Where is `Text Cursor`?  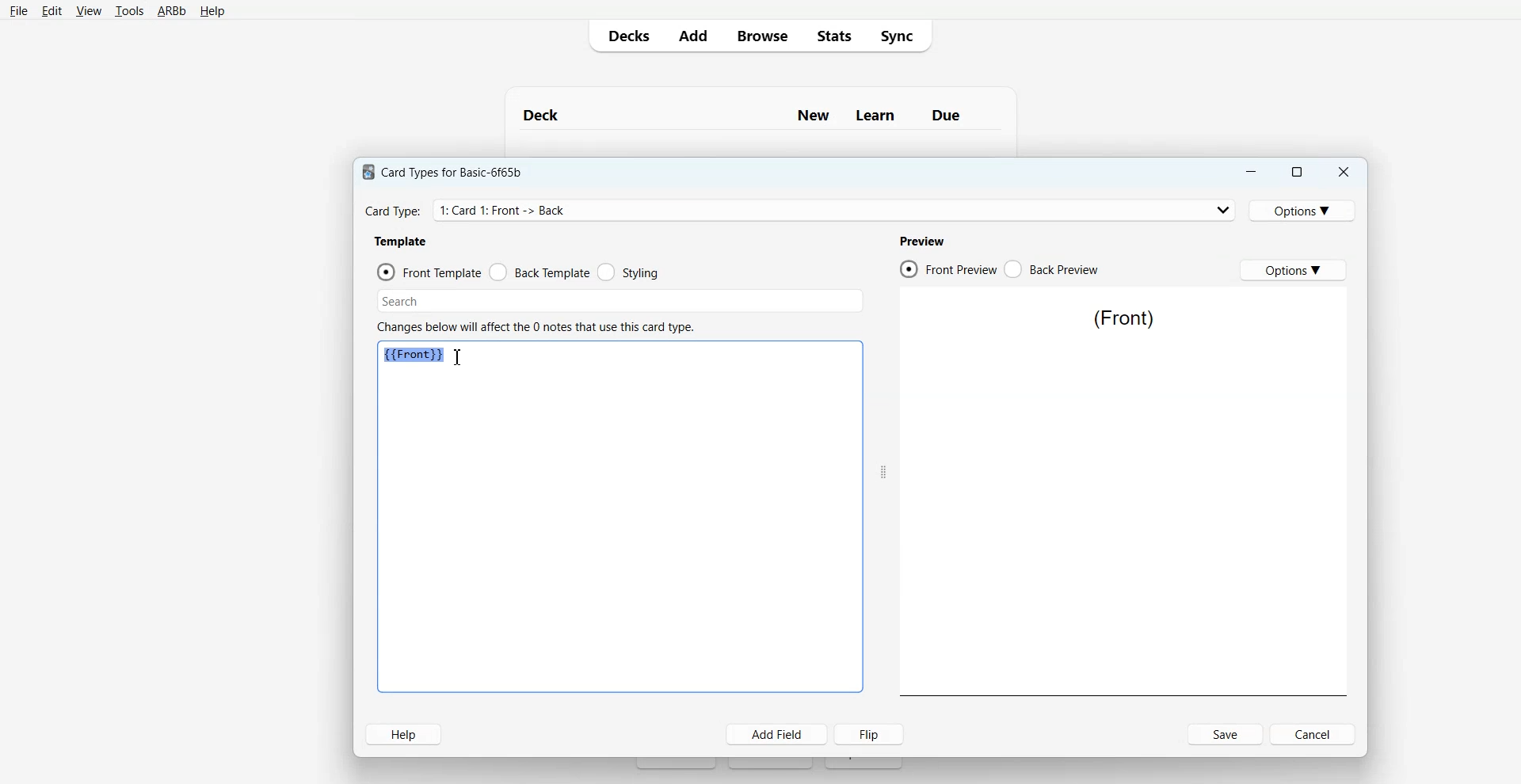
Text Cursor is located at coordinates (457, 357).